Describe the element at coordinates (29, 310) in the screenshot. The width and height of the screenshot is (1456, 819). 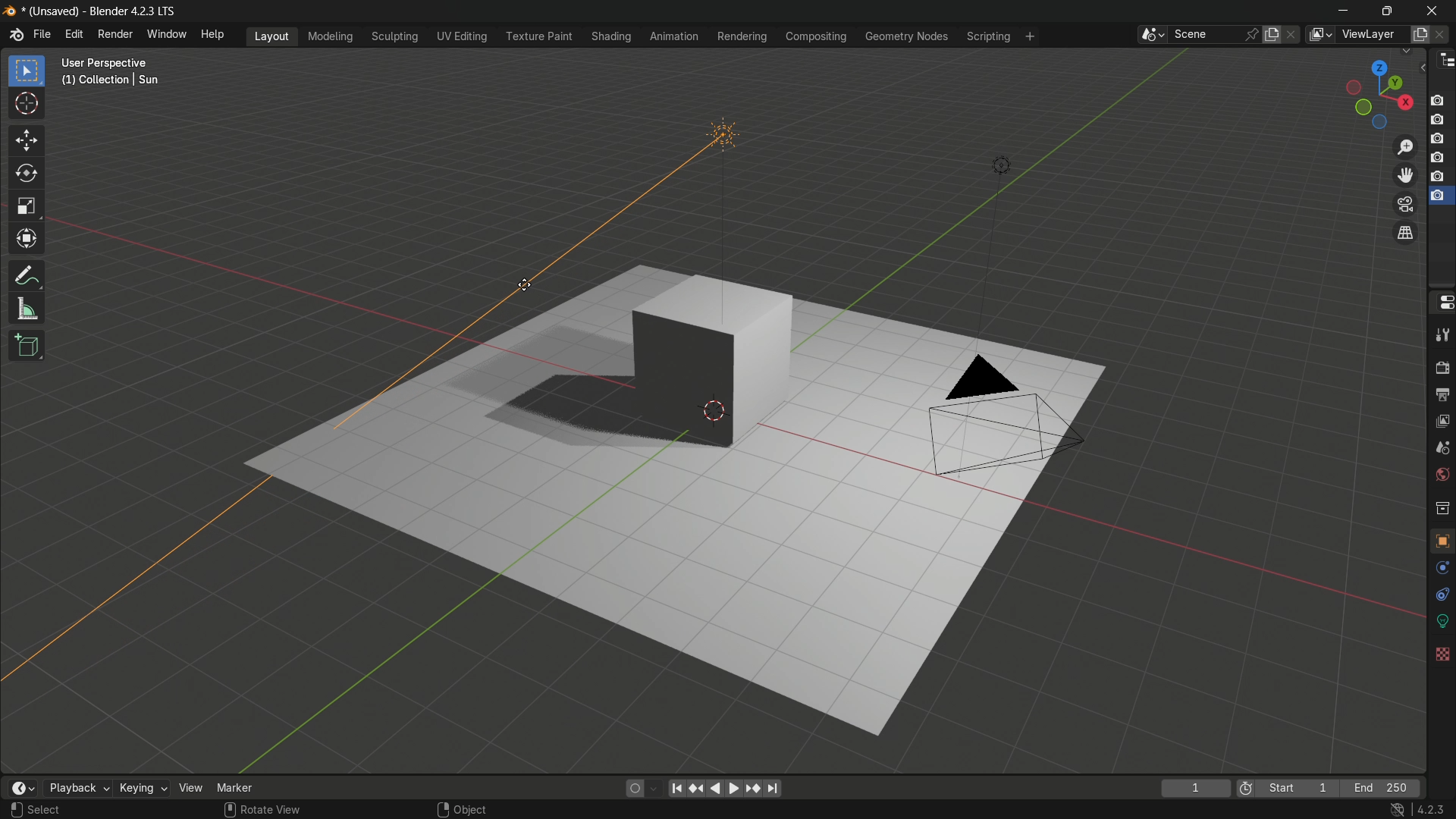
I see `measure` at that location.